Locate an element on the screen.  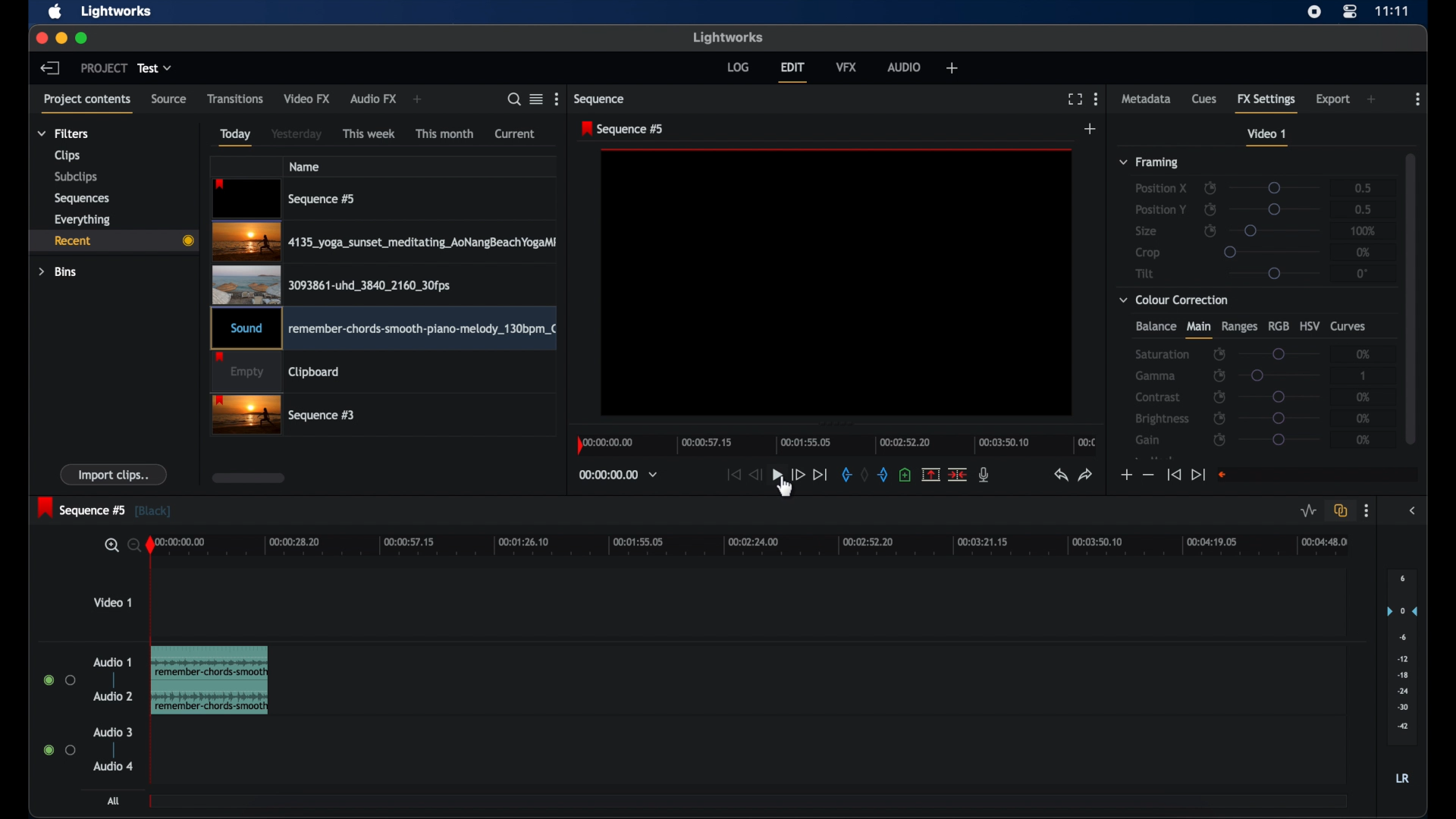
balance is located at coordinates (1155, 326).